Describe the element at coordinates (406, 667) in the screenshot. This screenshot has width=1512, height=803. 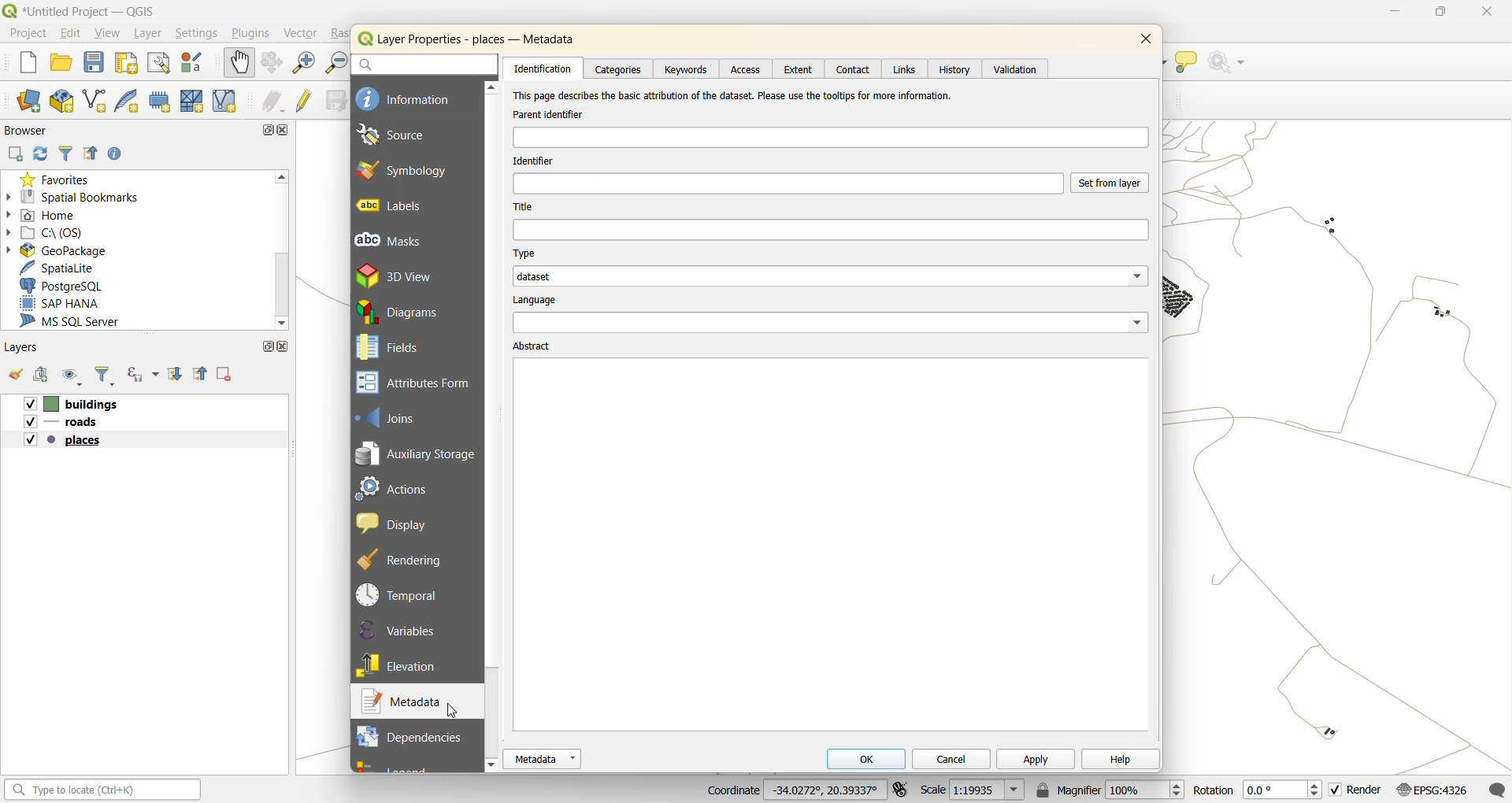
I see `elevation` at that location.